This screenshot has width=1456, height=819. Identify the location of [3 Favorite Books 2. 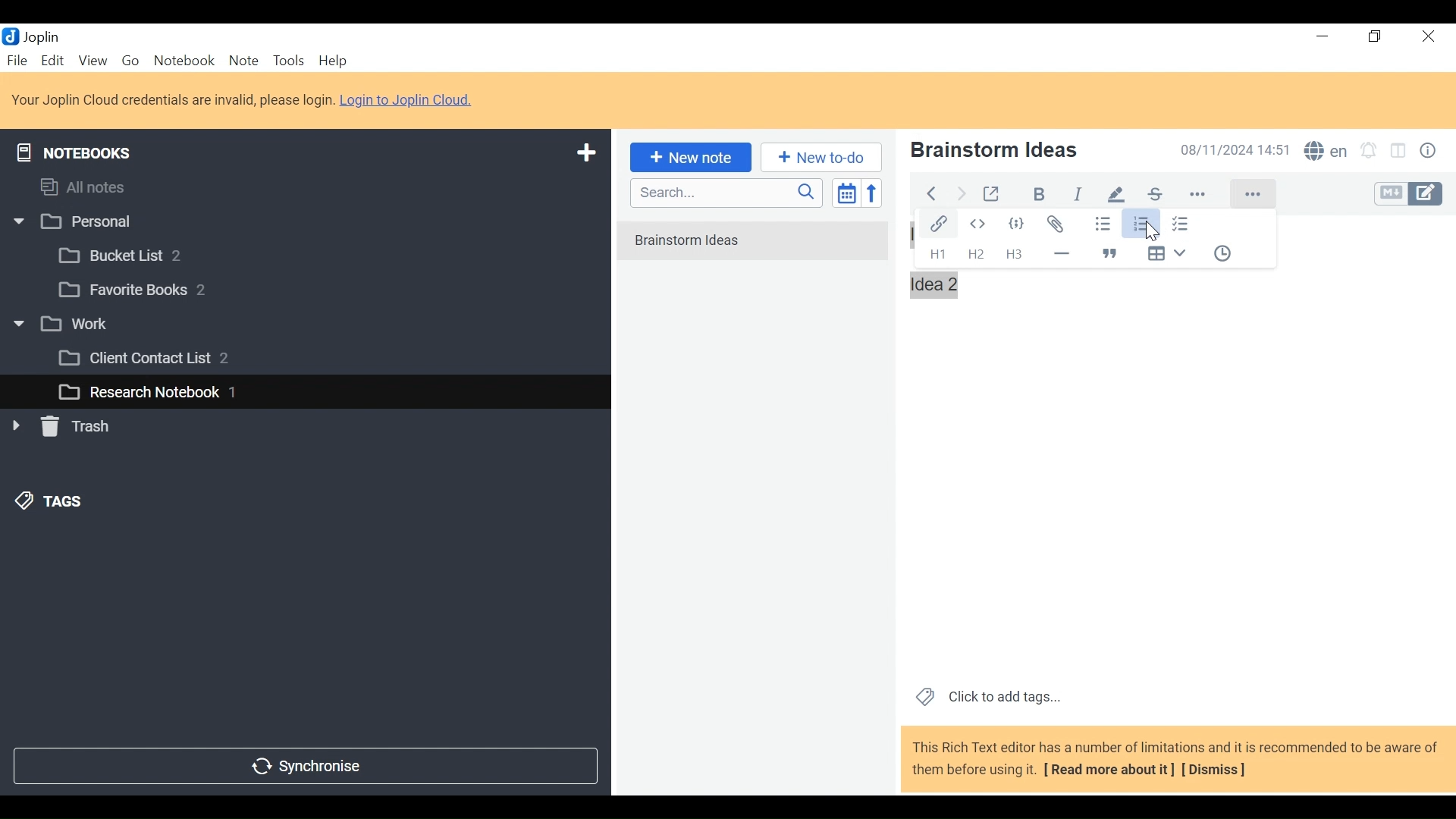
(145, 290).